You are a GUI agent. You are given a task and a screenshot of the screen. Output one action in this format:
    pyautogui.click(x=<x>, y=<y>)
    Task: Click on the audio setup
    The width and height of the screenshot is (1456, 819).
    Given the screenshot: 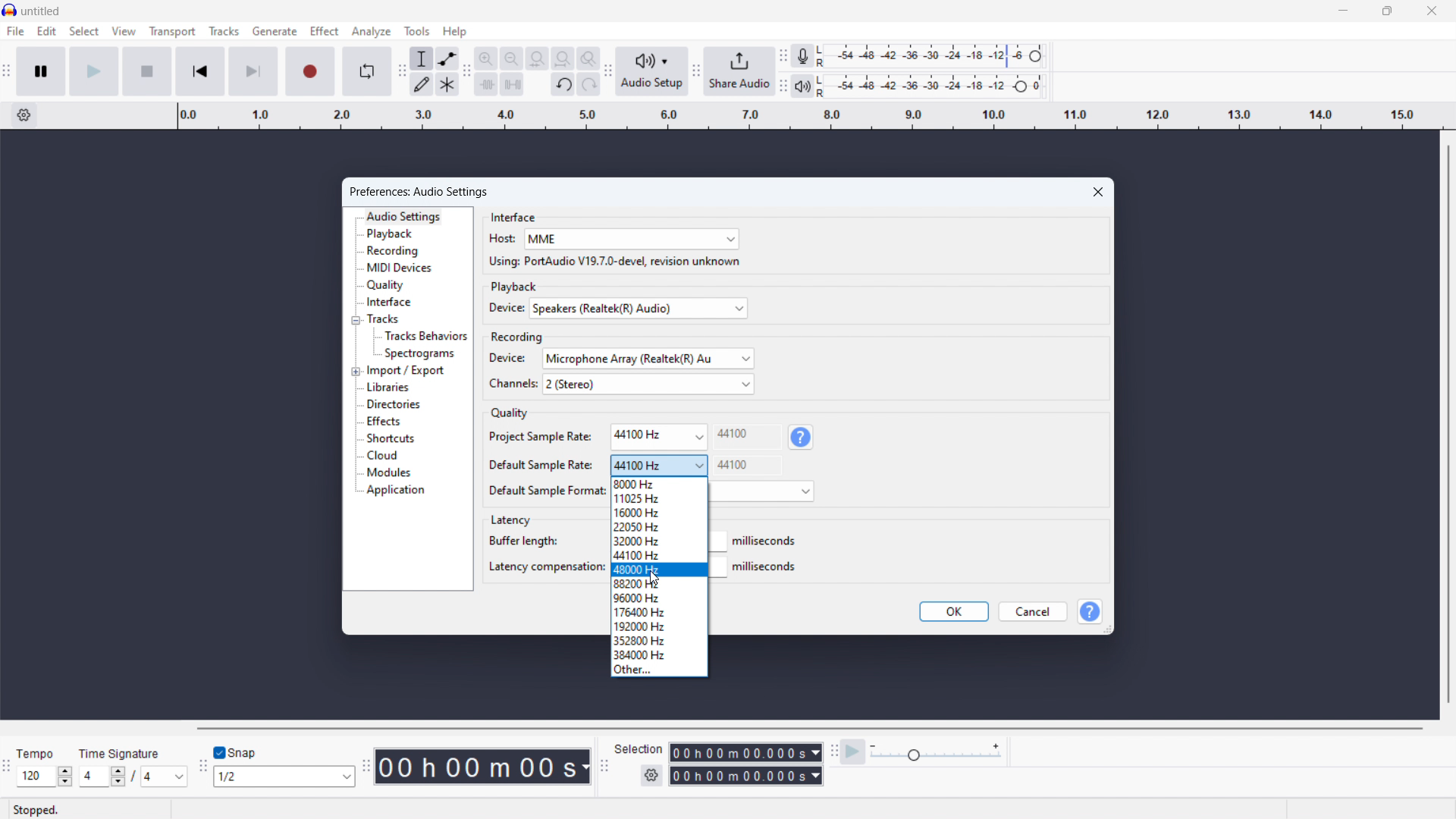 What is the action you would take?
    pyautogui.click(x=651, y=71)
    